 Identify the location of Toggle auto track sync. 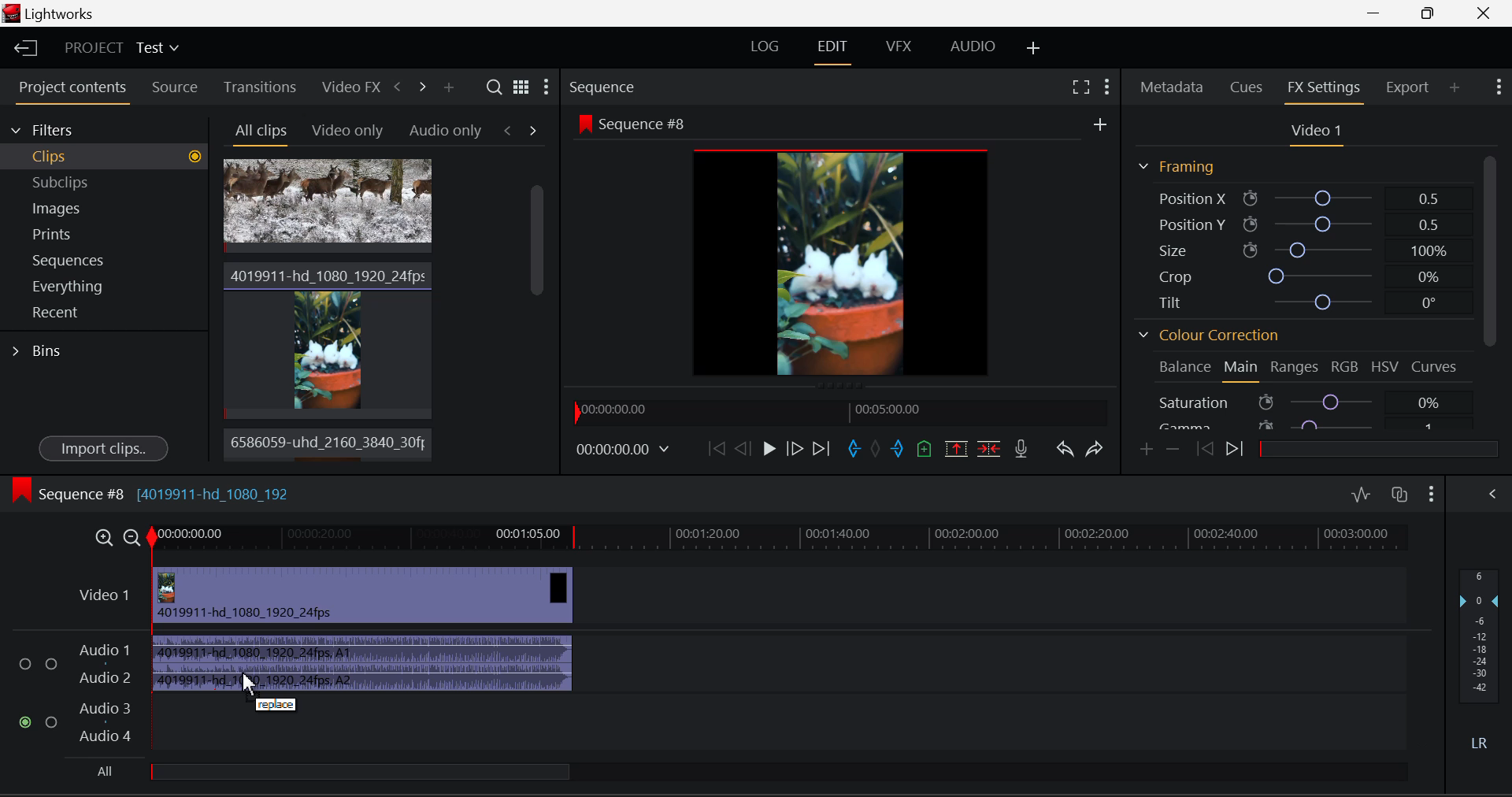
(1399, 495).